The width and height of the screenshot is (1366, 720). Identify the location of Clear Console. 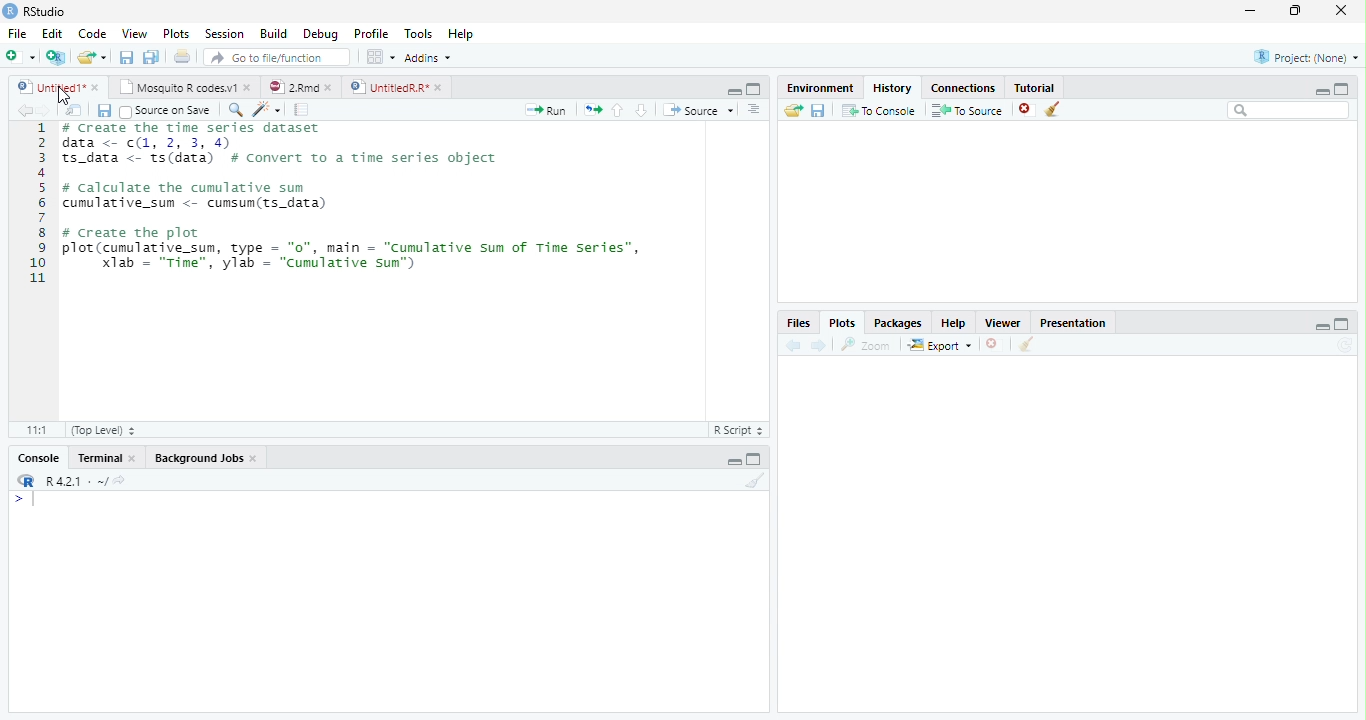
(1051, 112).